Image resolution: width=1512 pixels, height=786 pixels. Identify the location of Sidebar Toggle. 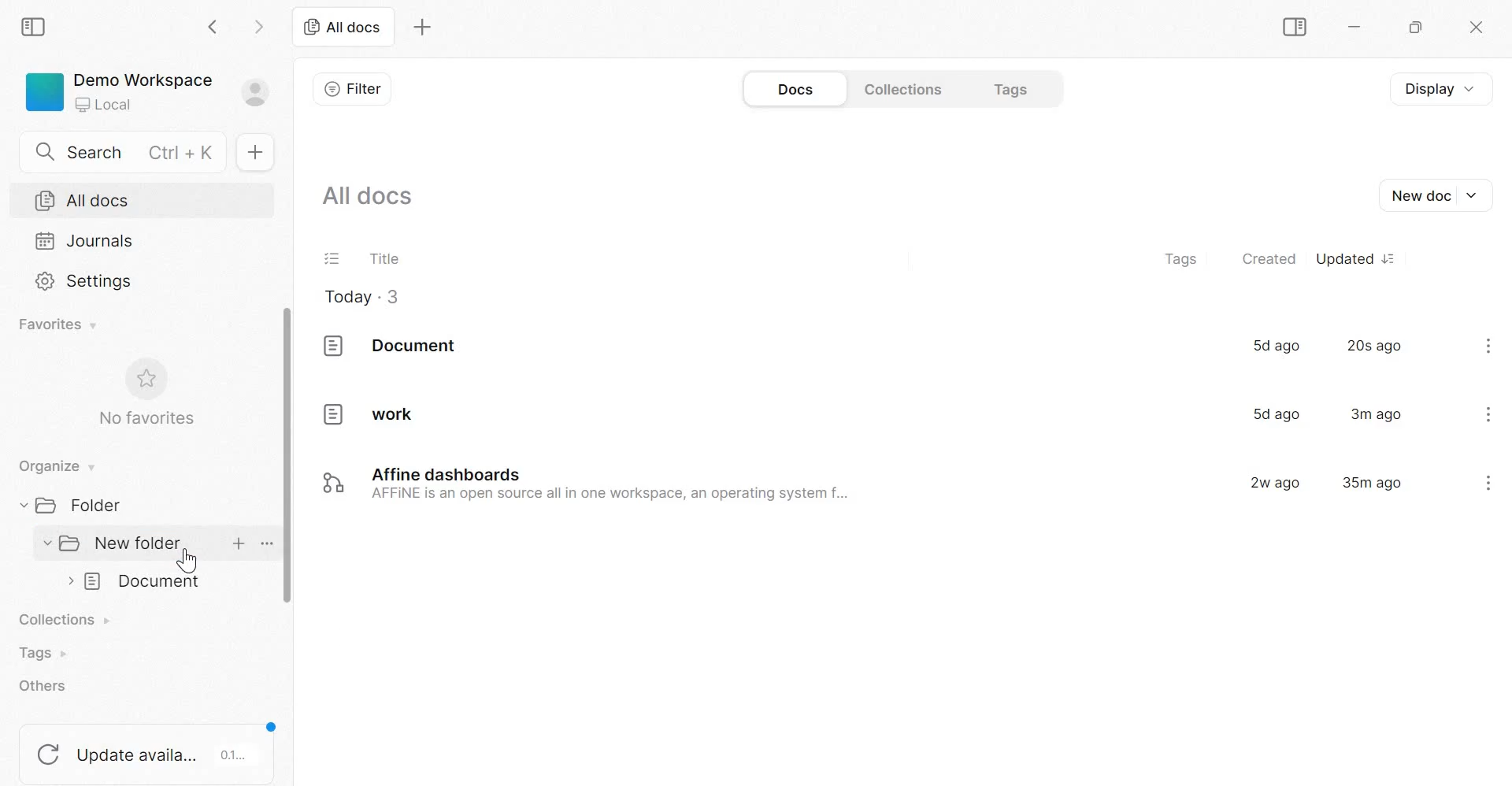
(1294, 27).